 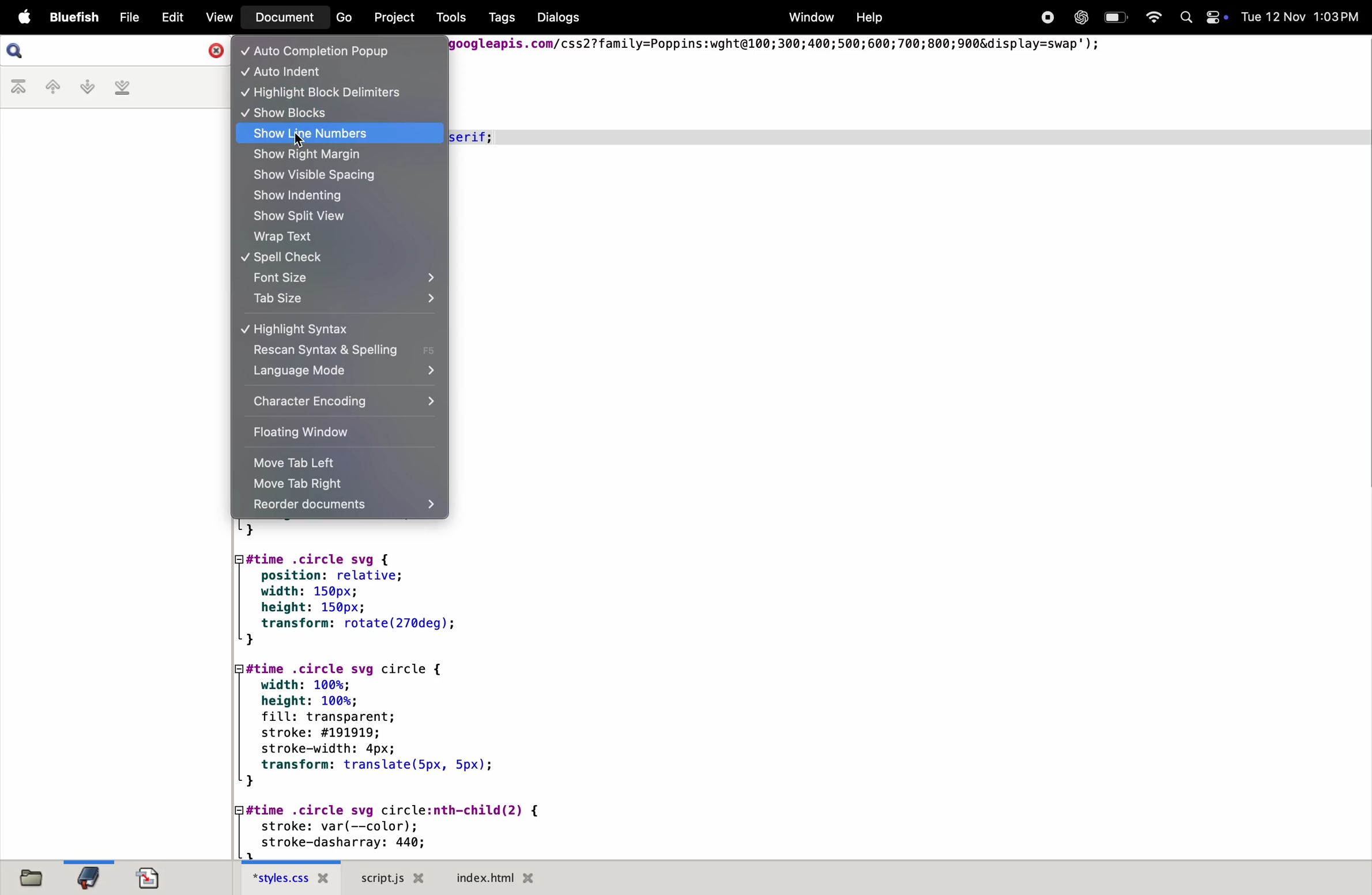 What do you see at coordinates (342, 302) in the screenshot?
I see `tab size` at bounding box center [342, 302].